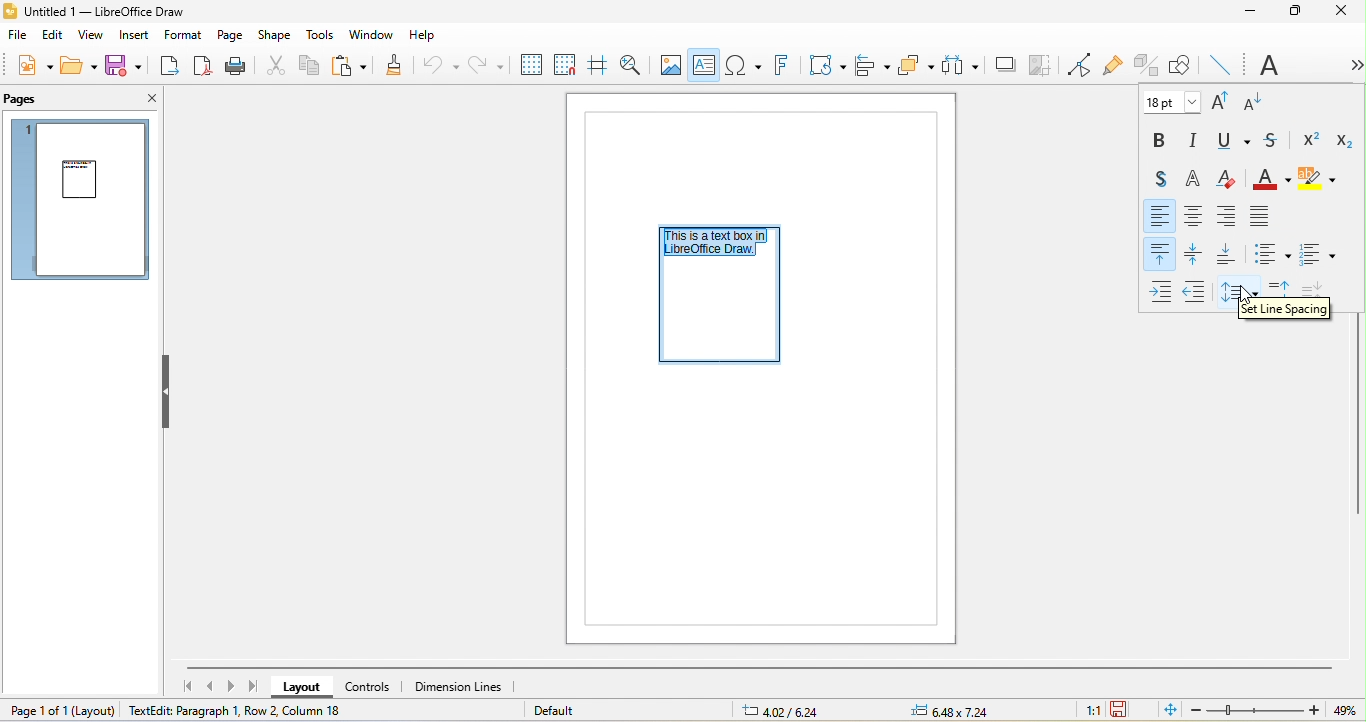  I want to click on fit to the current window, so click(1167, 711).